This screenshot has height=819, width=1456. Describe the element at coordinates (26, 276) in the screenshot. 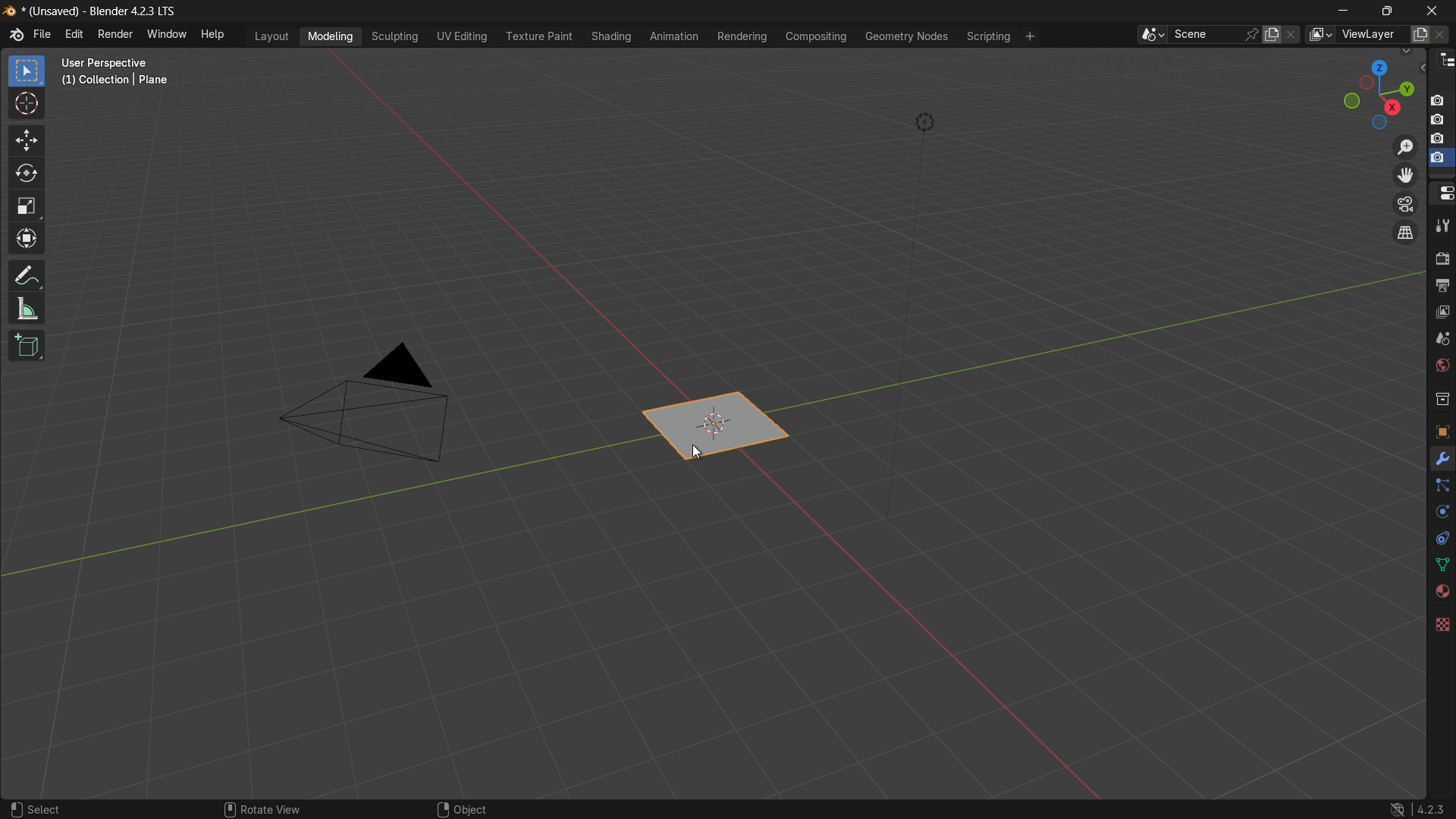

I see `annotate` at that location.